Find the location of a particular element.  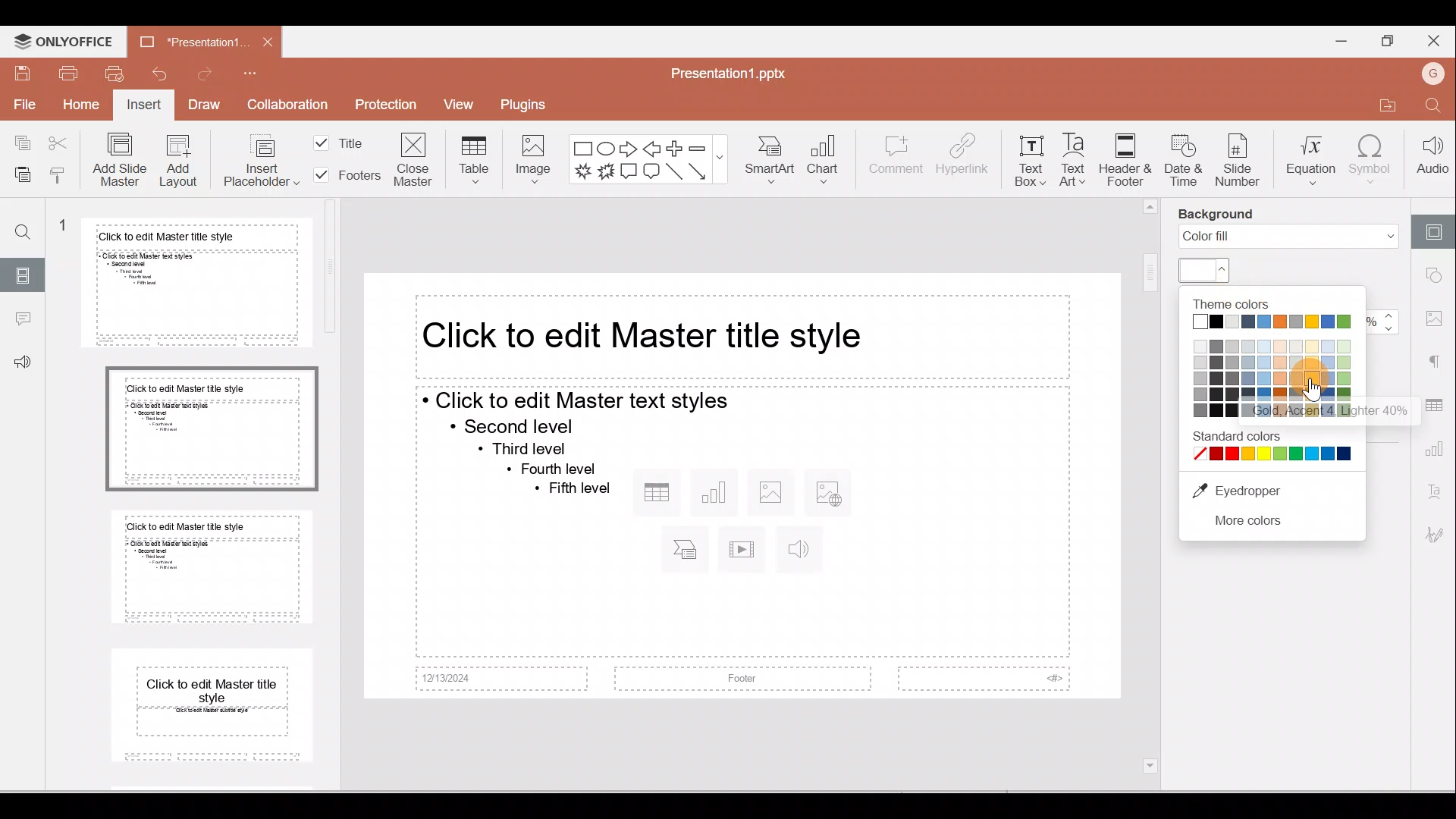

Redo is located at coordinates (209, 73).